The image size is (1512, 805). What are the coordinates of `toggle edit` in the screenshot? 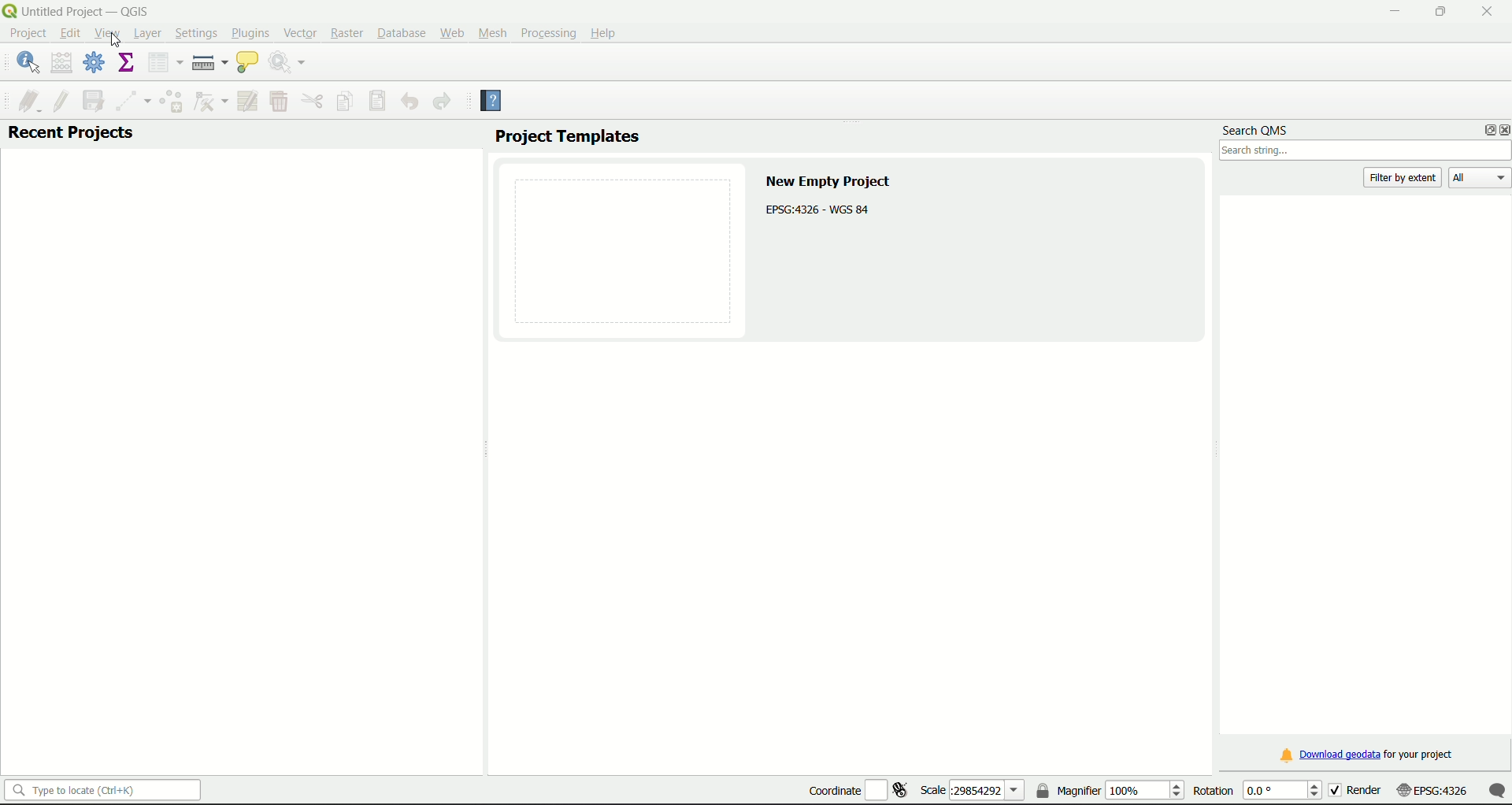 It's located at (59, 101).